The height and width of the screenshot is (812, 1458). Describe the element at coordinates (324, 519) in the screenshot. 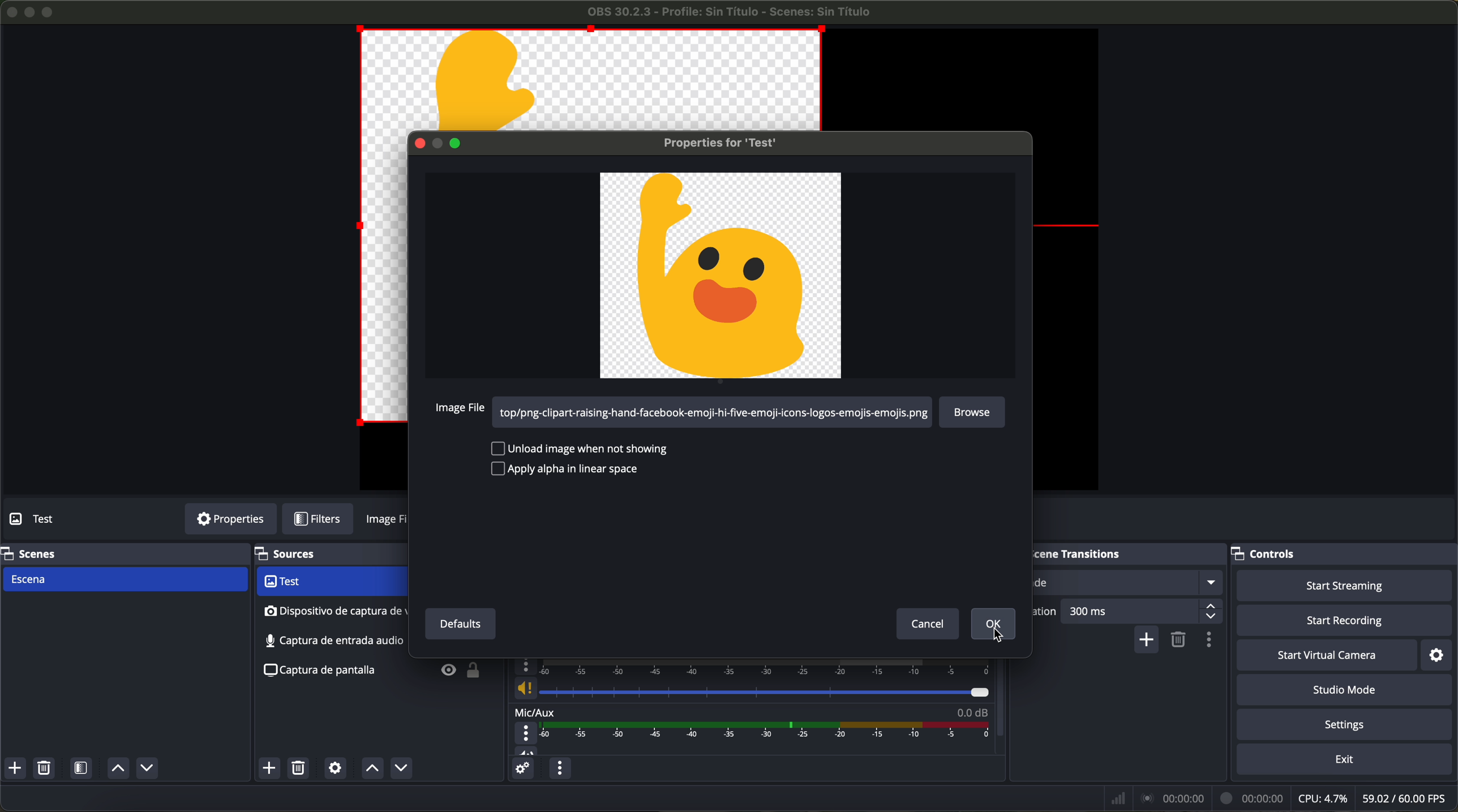

I see `filters` at that location.